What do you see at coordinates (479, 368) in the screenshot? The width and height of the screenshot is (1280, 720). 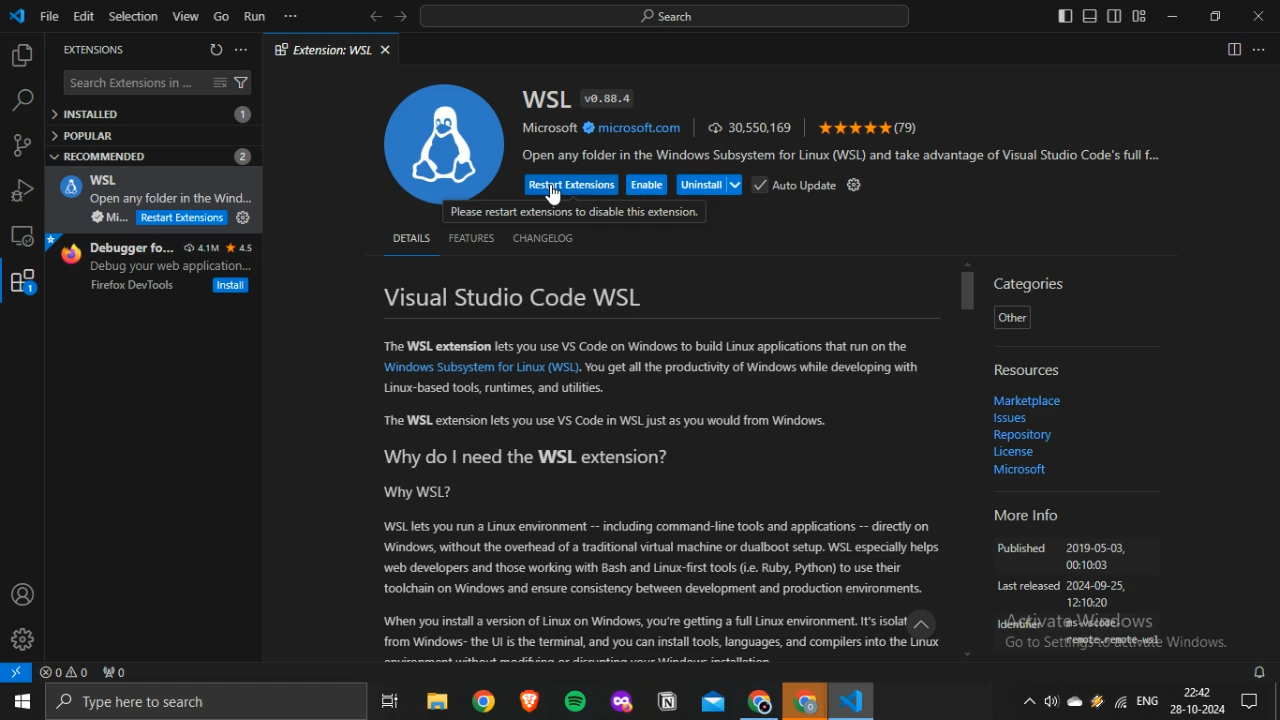 I see `‘Windows Subsystem for Linux (WSL)` at bounding box center [479, 368].